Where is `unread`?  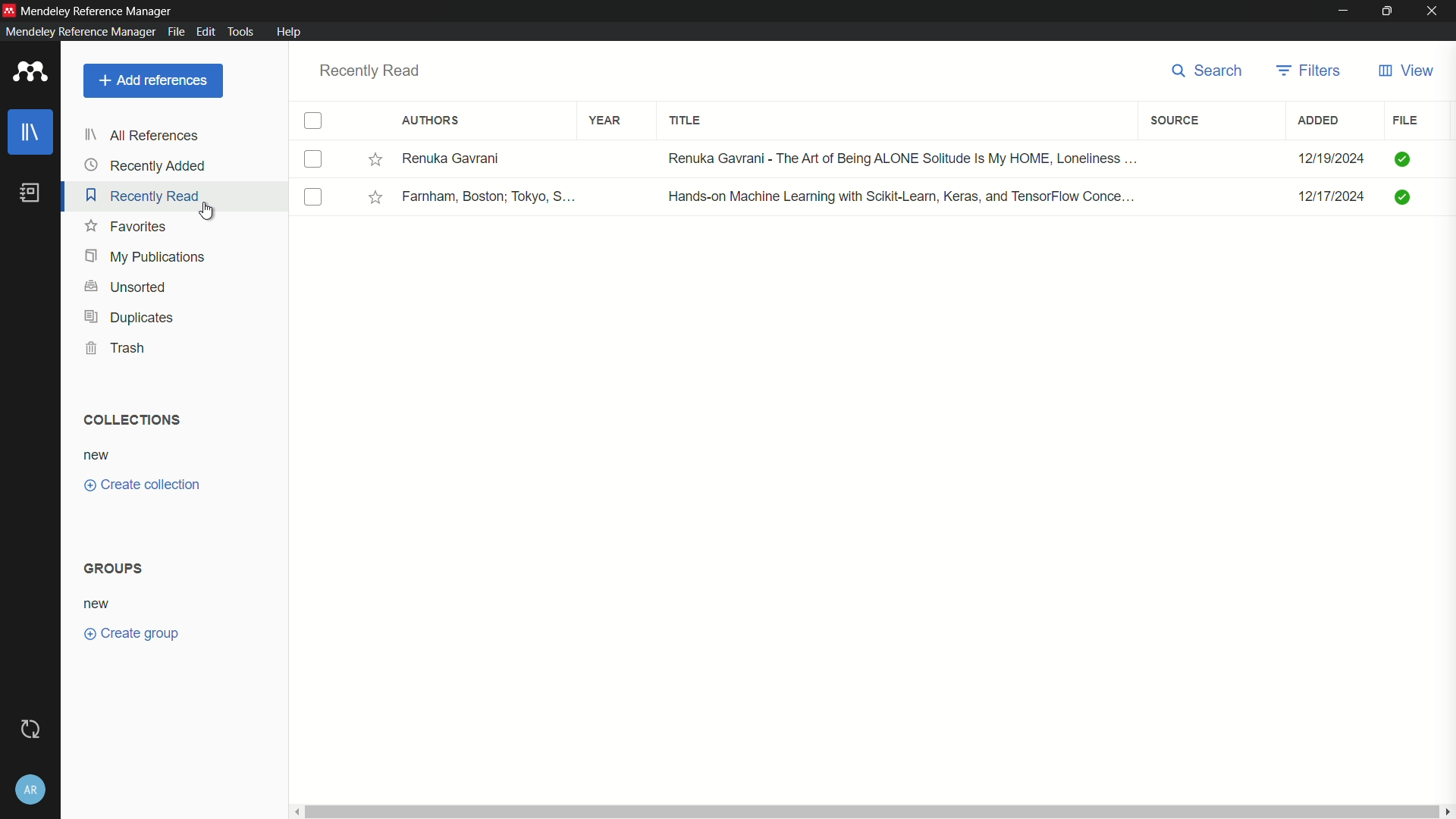
unread is located at coordinates (344, 158).